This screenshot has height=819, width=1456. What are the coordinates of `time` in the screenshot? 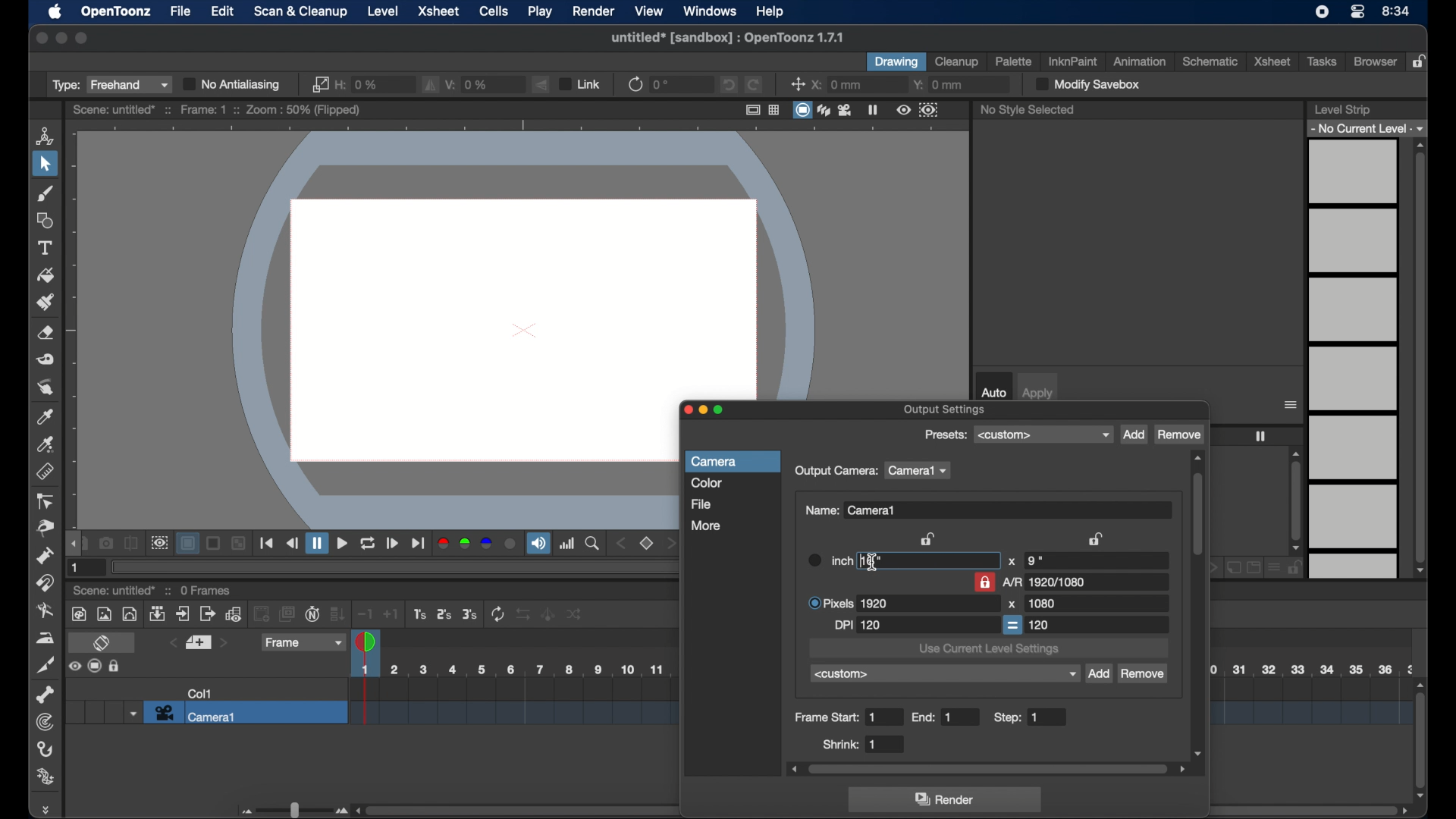 It's located at (1396, 12).